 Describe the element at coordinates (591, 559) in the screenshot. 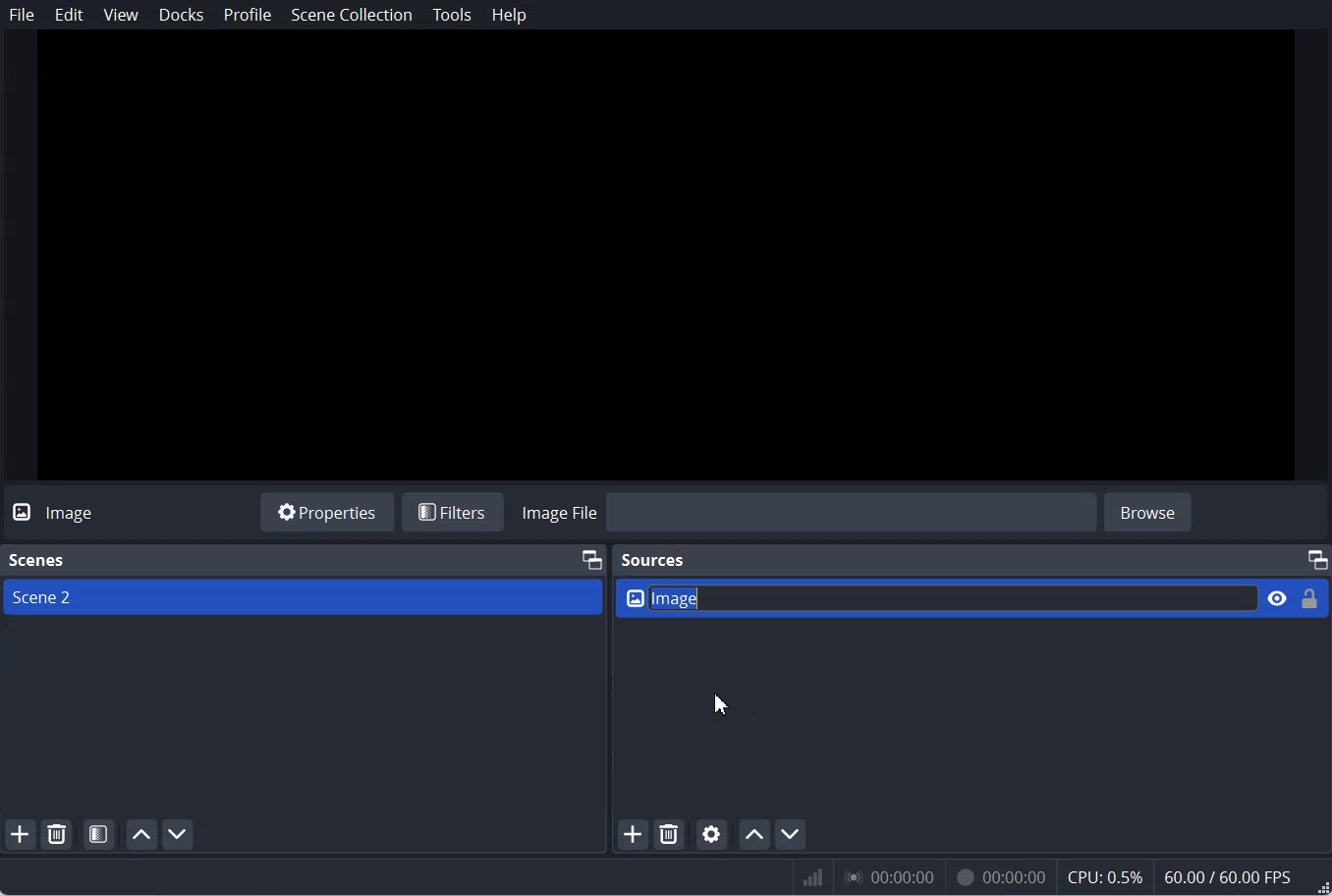

I see `Maximum` at that location.